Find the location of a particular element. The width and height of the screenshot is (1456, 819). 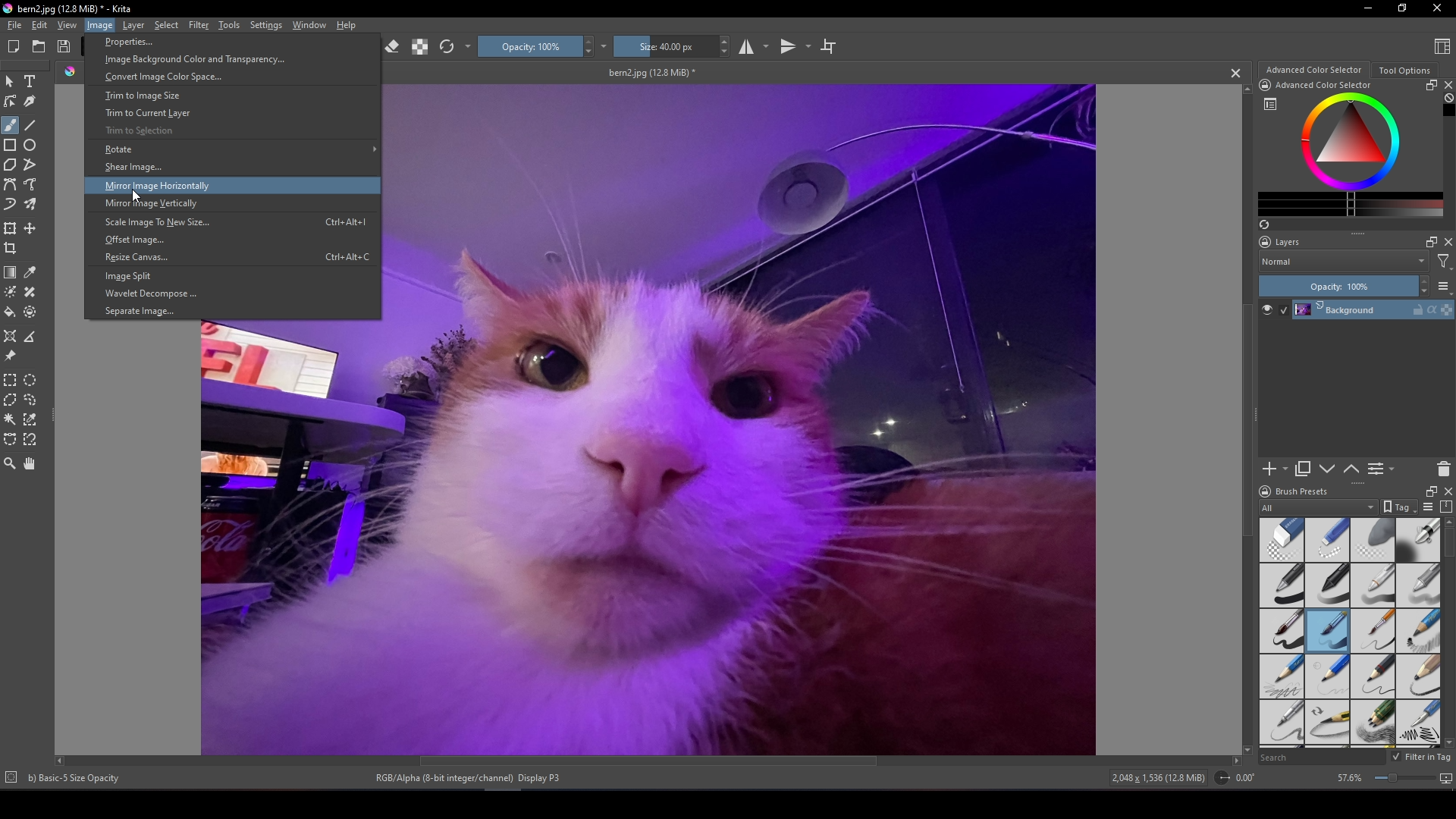

Blending mode is located at coordinates (1343, 262).